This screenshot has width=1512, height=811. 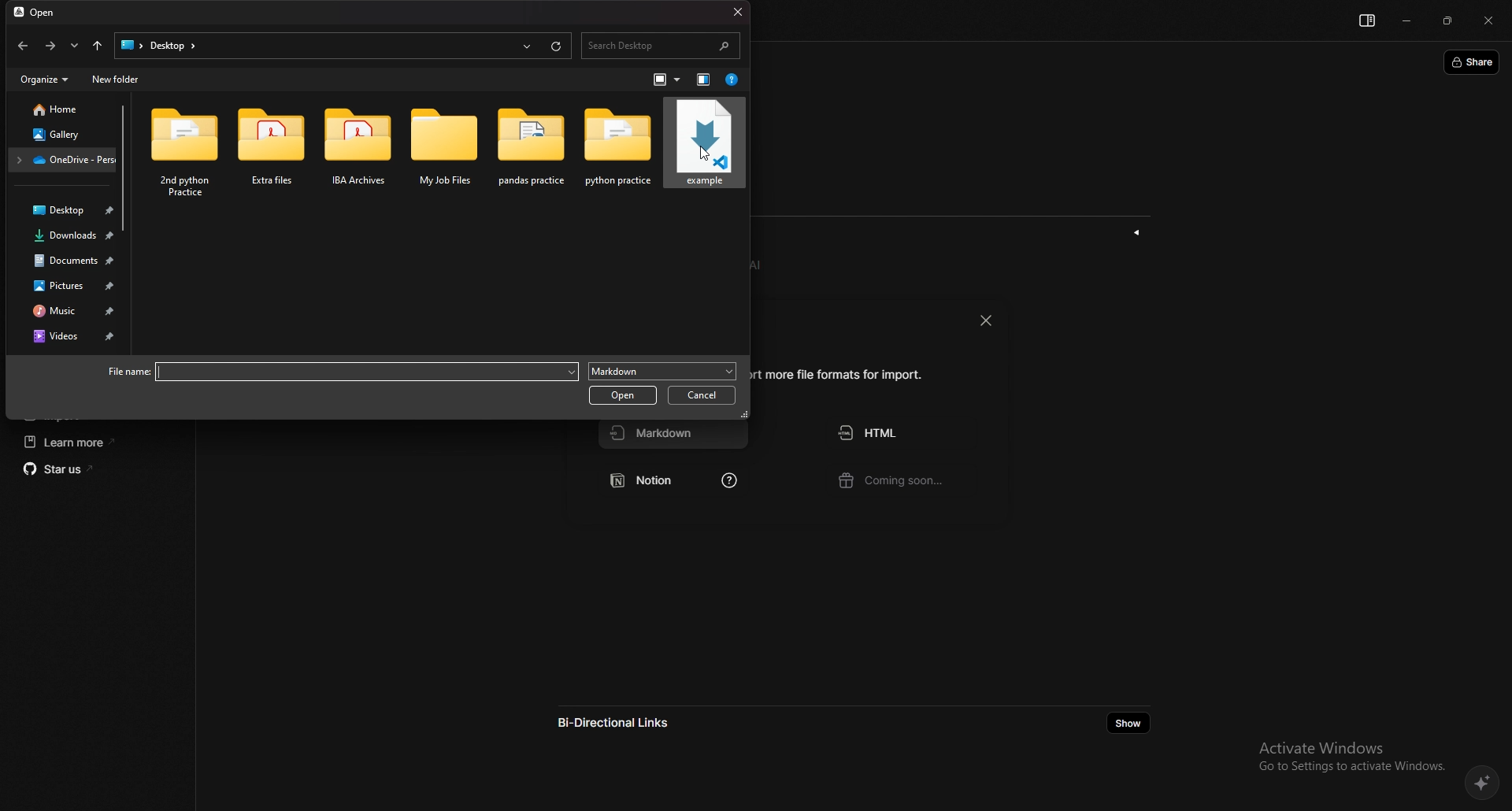 I want to click on folder, so click(x=448, y=154).